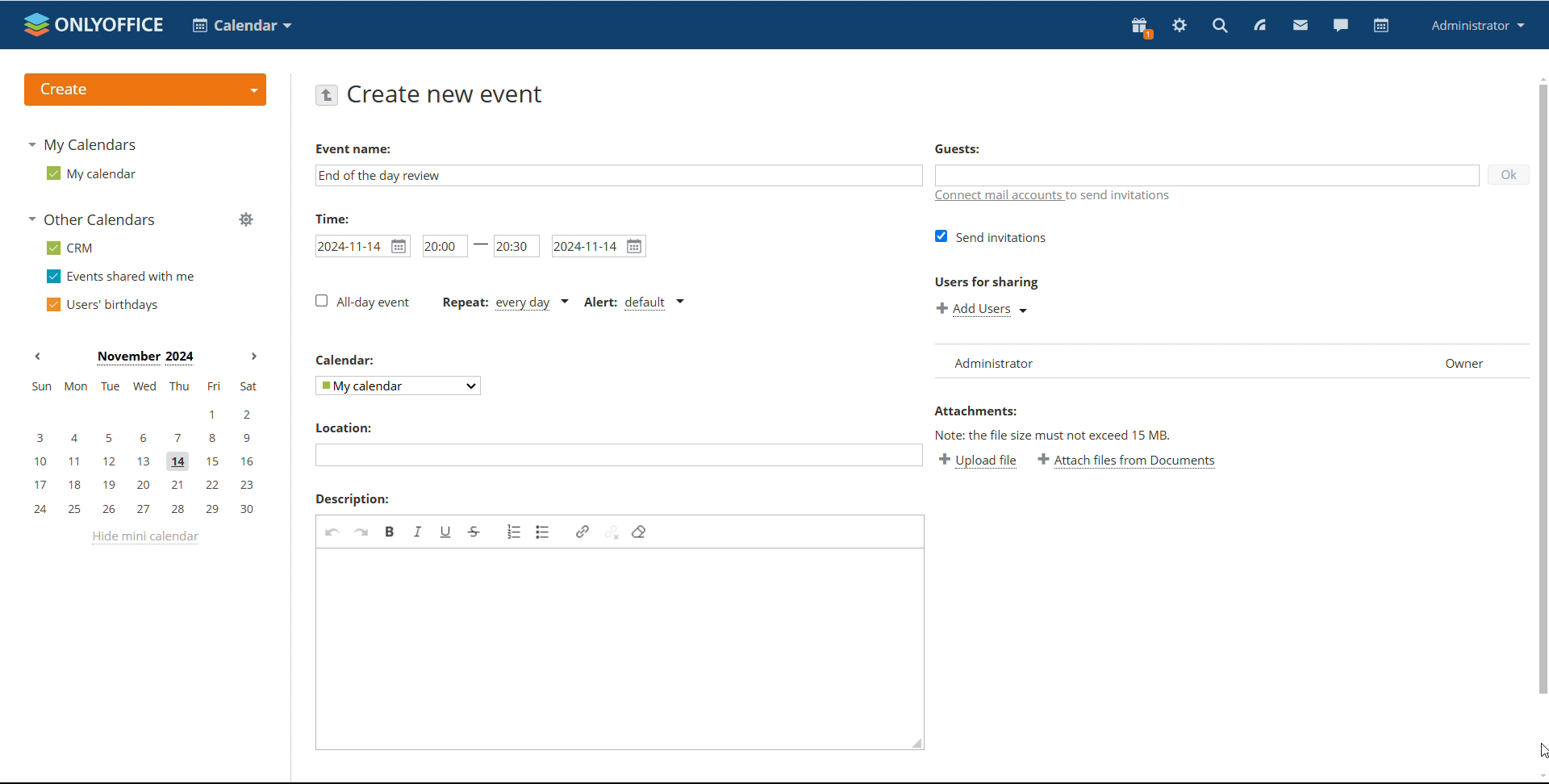 Image resolution: width=1549 pixels, height=784 pixels. I want to click on connect mail accounts, so click(1054, 197).